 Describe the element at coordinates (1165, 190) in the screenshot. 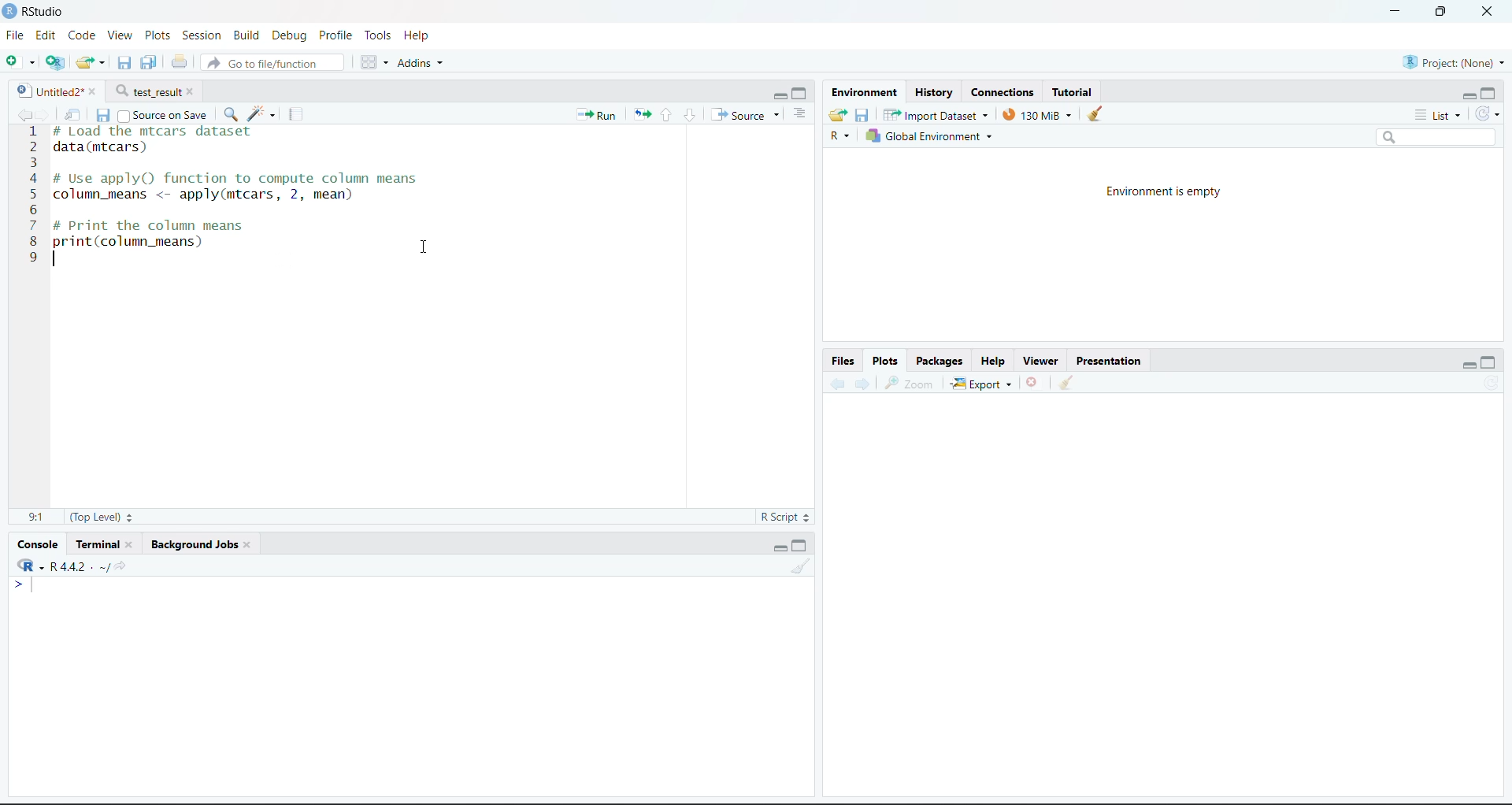

I see `Environment is empty` at that location.